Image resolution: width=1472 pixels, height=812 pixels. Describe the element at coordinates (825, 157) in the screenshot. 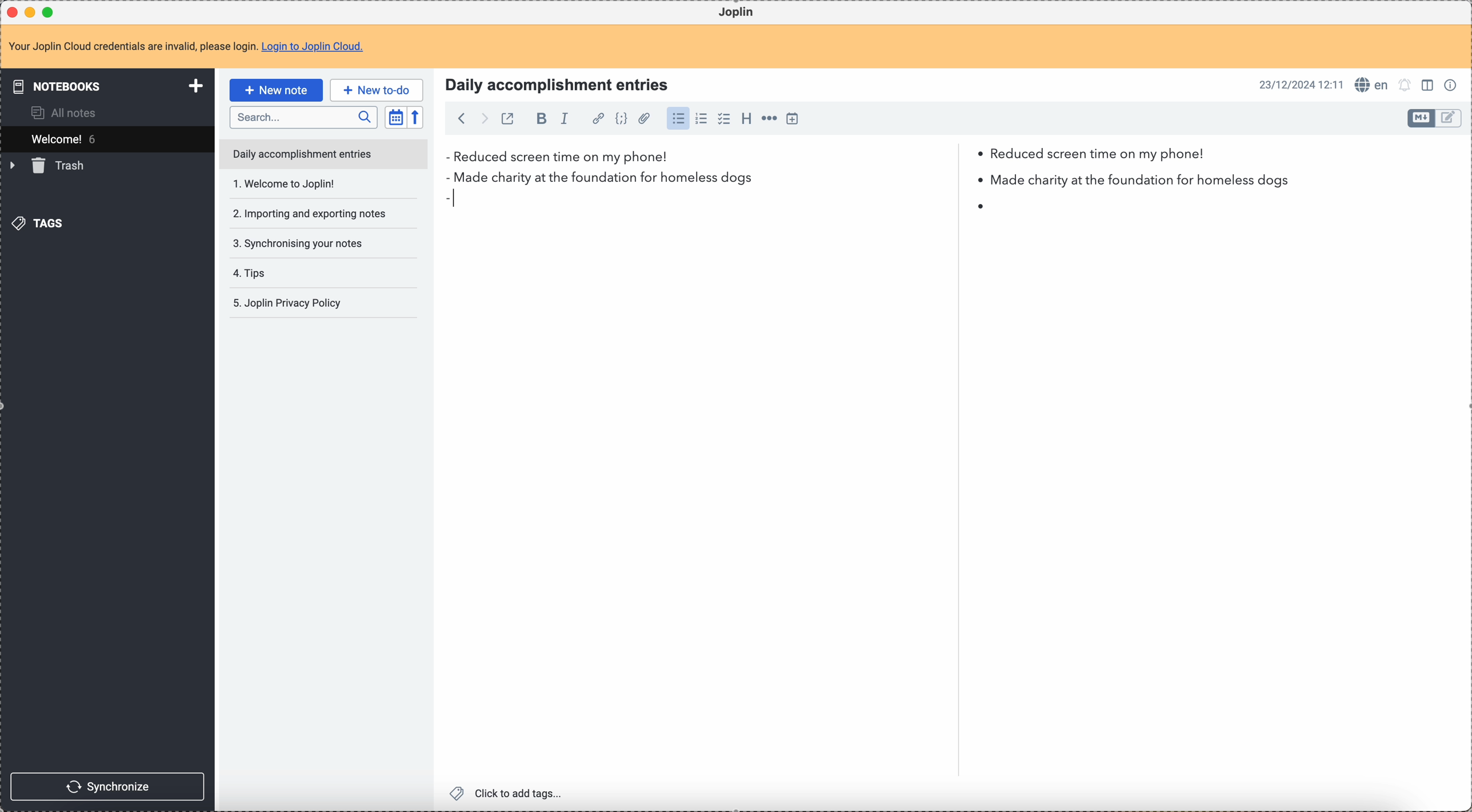

I see `reduced screen time on my phone` at that location.